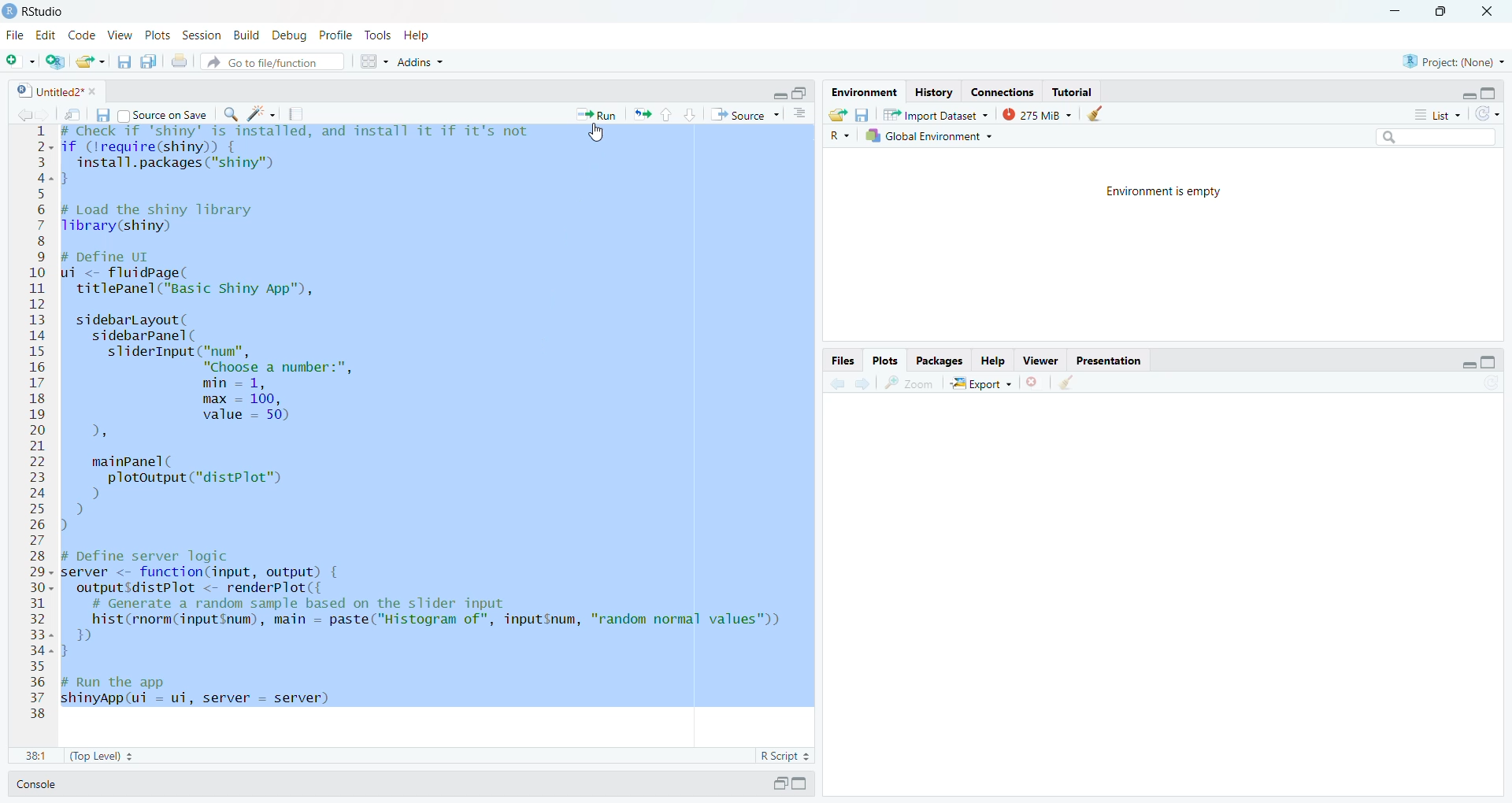 Image resolution: width=1512 pixels, height=803 pixels. I want to click on Viewer, so click(1039, 361).